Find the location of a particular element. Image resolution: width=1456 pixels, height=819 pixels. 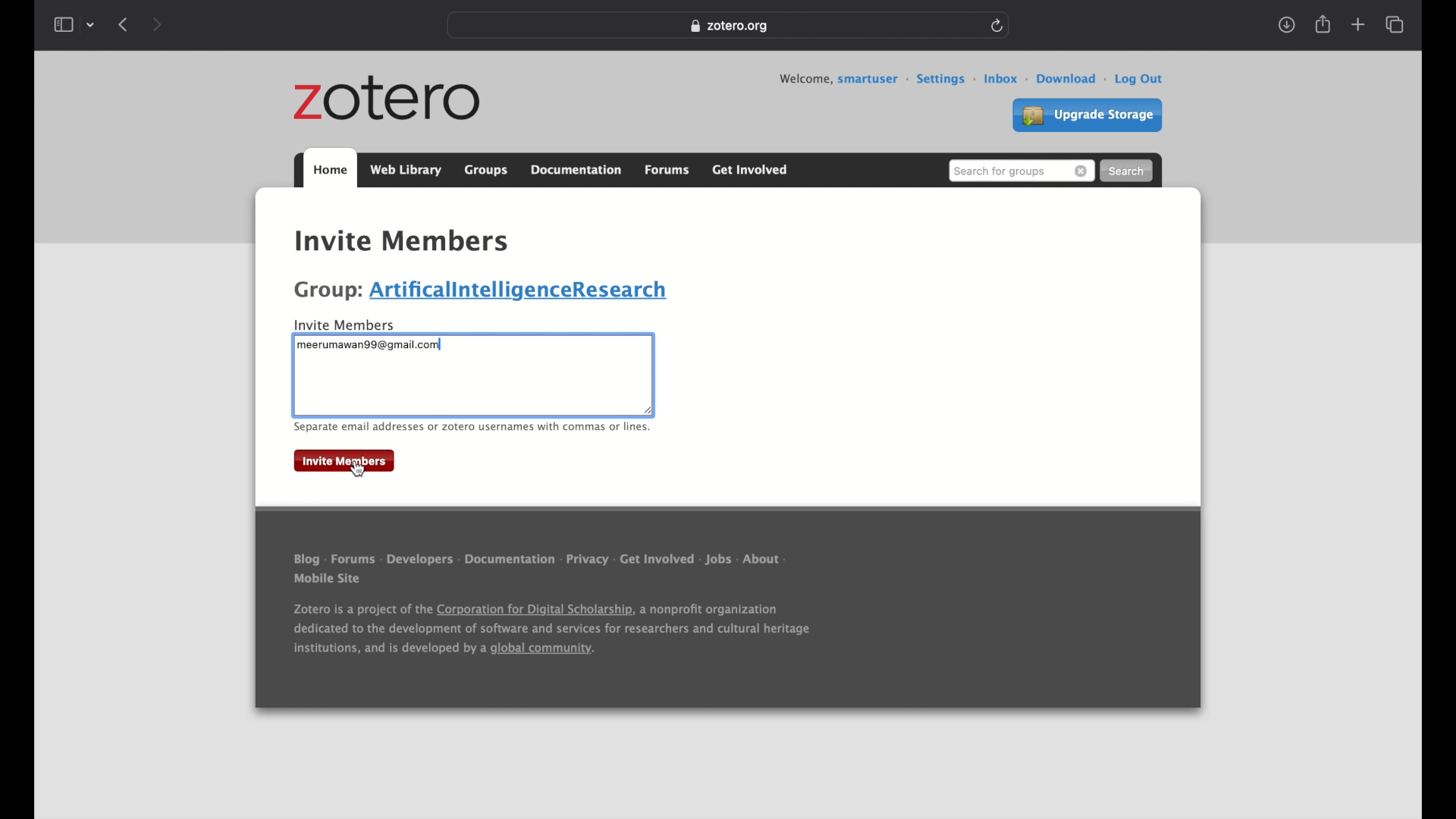

highlighted text boundary is located at coordinates (473, 417).